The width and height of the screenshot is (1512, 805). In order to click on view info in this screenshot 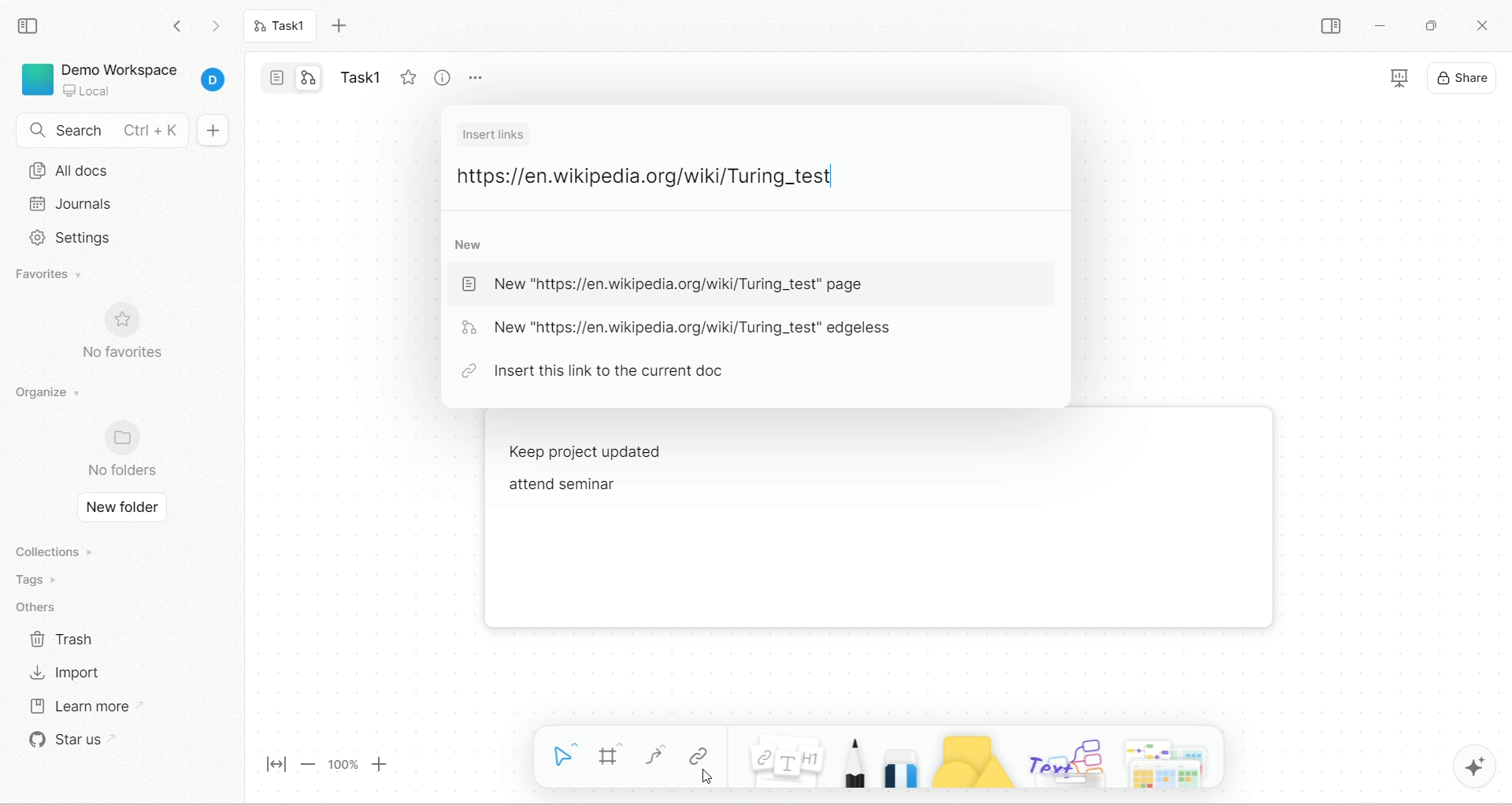, I will do `click(440, 76)`.